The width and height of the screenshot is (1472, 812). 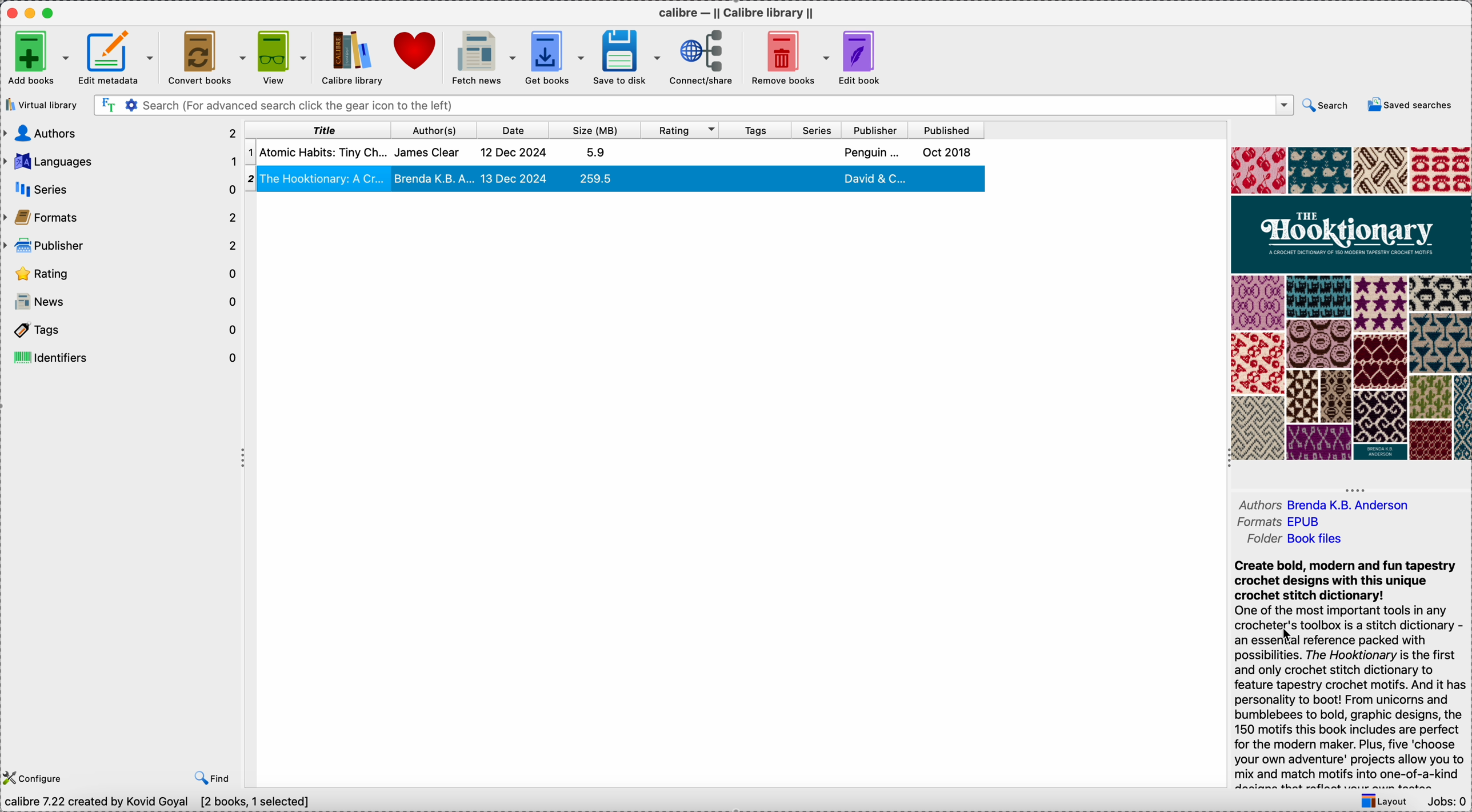 What do you see at coordinates (35, 777) in the screenshot?
I see `configure` at bounding box center [35, 777].